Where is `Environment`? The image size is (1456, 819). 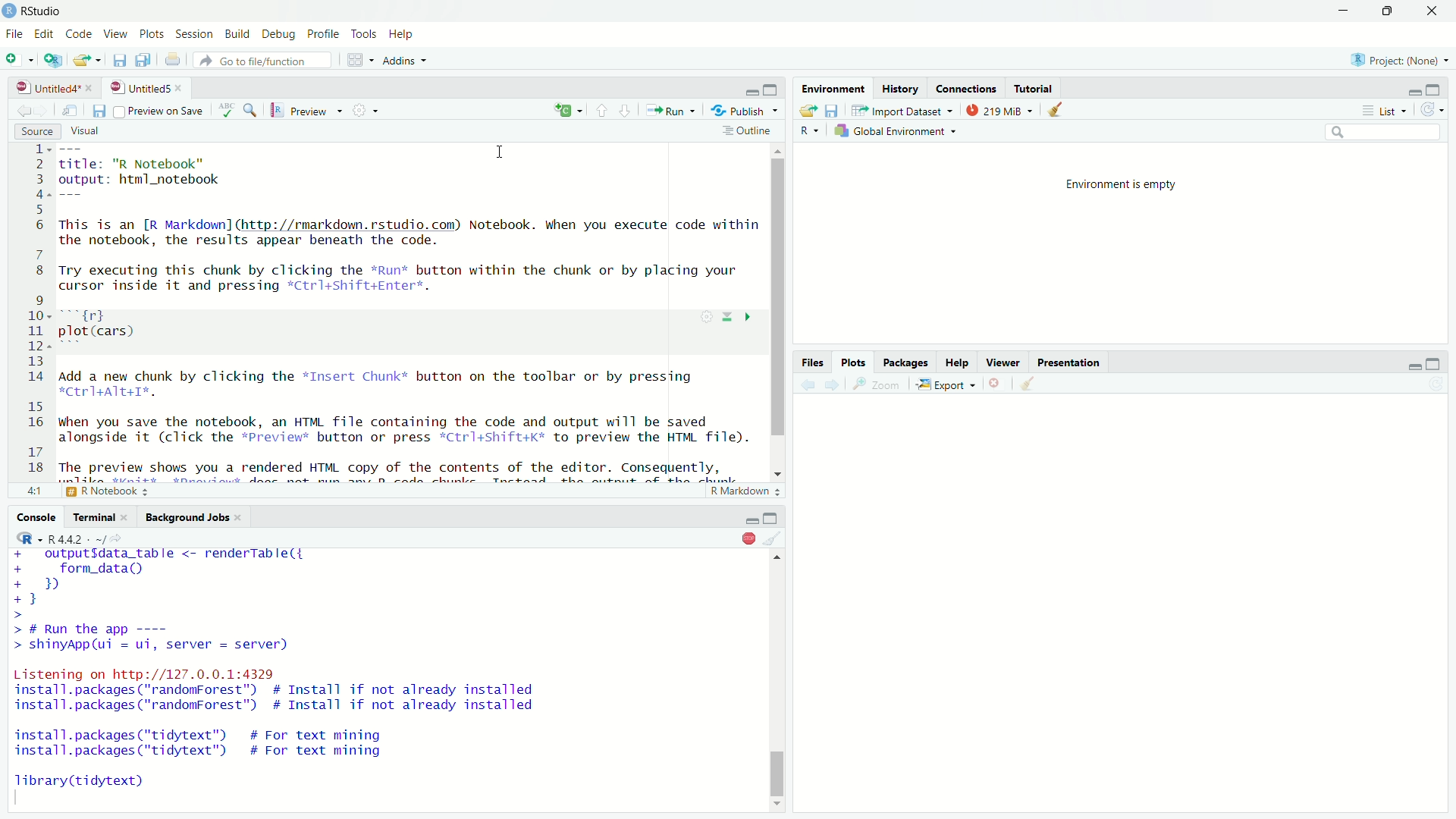
Environment is located at coordinates (832, 87).